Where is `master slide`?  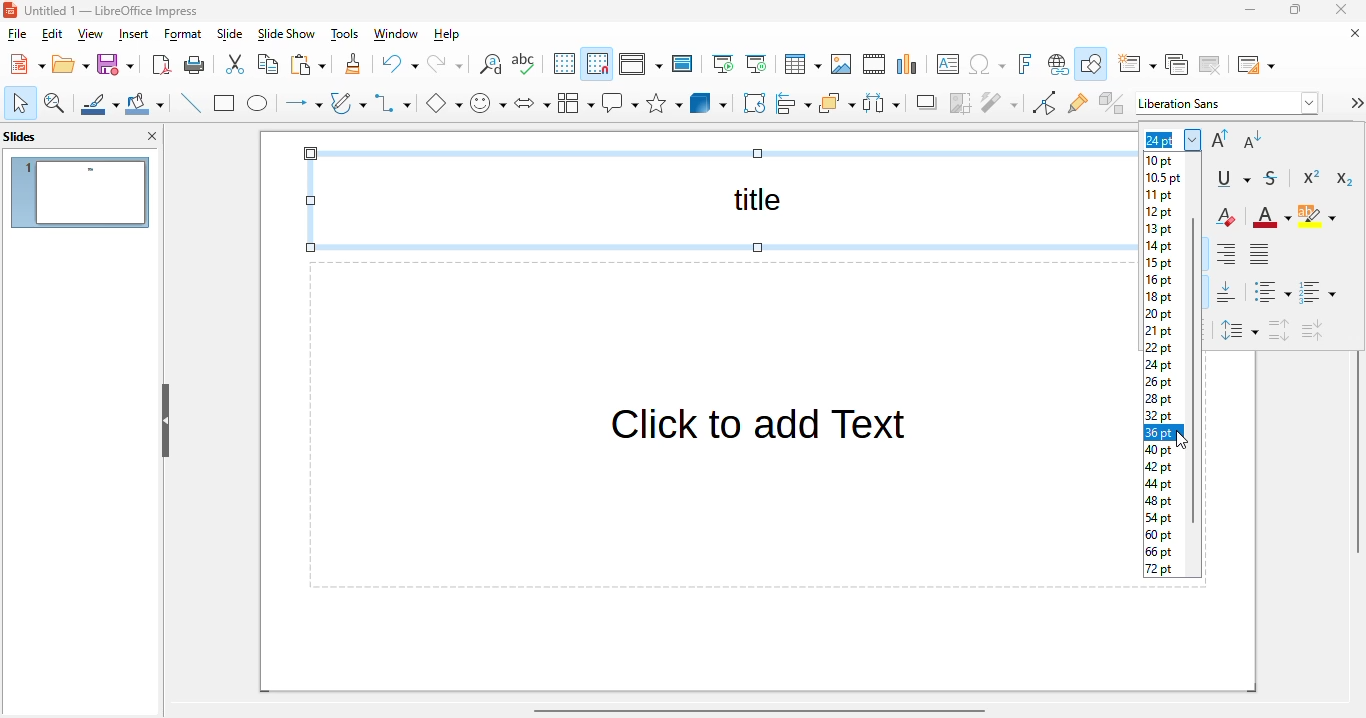
master slide is located at coordinates (683, 64).